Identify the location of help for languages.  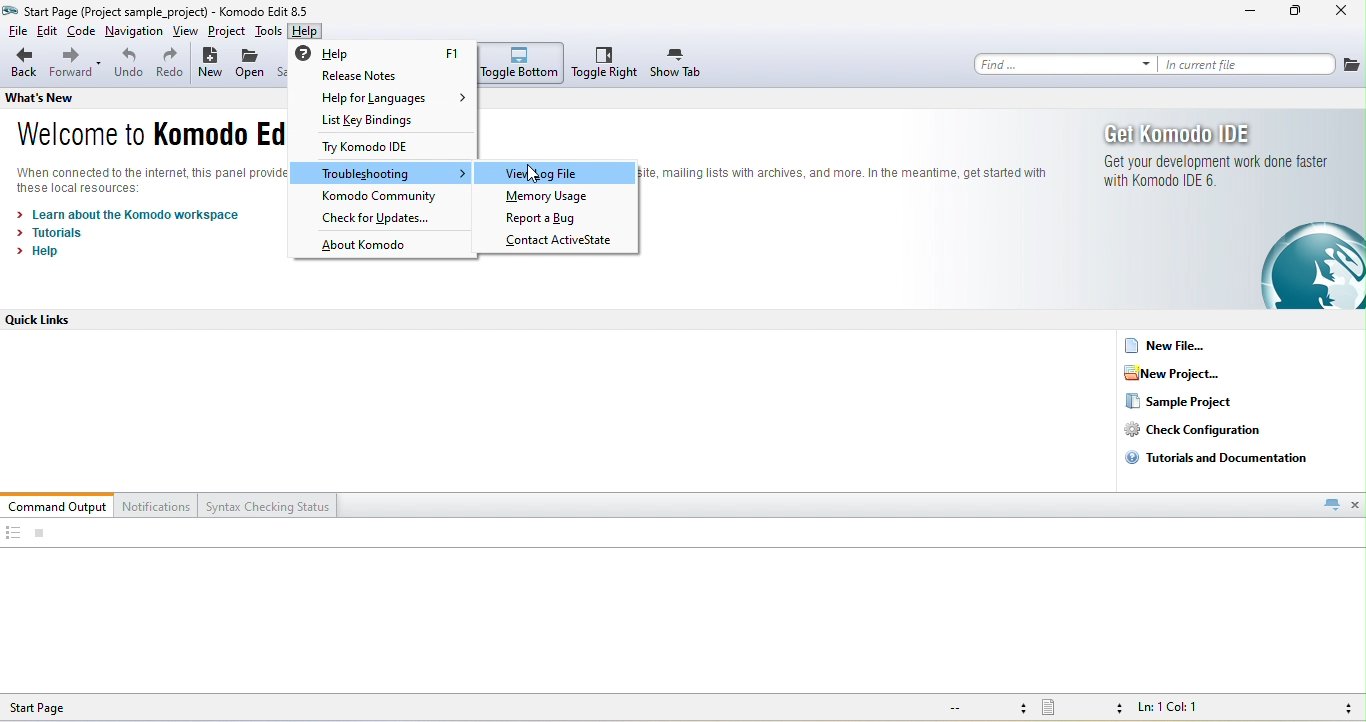
(394, 98).